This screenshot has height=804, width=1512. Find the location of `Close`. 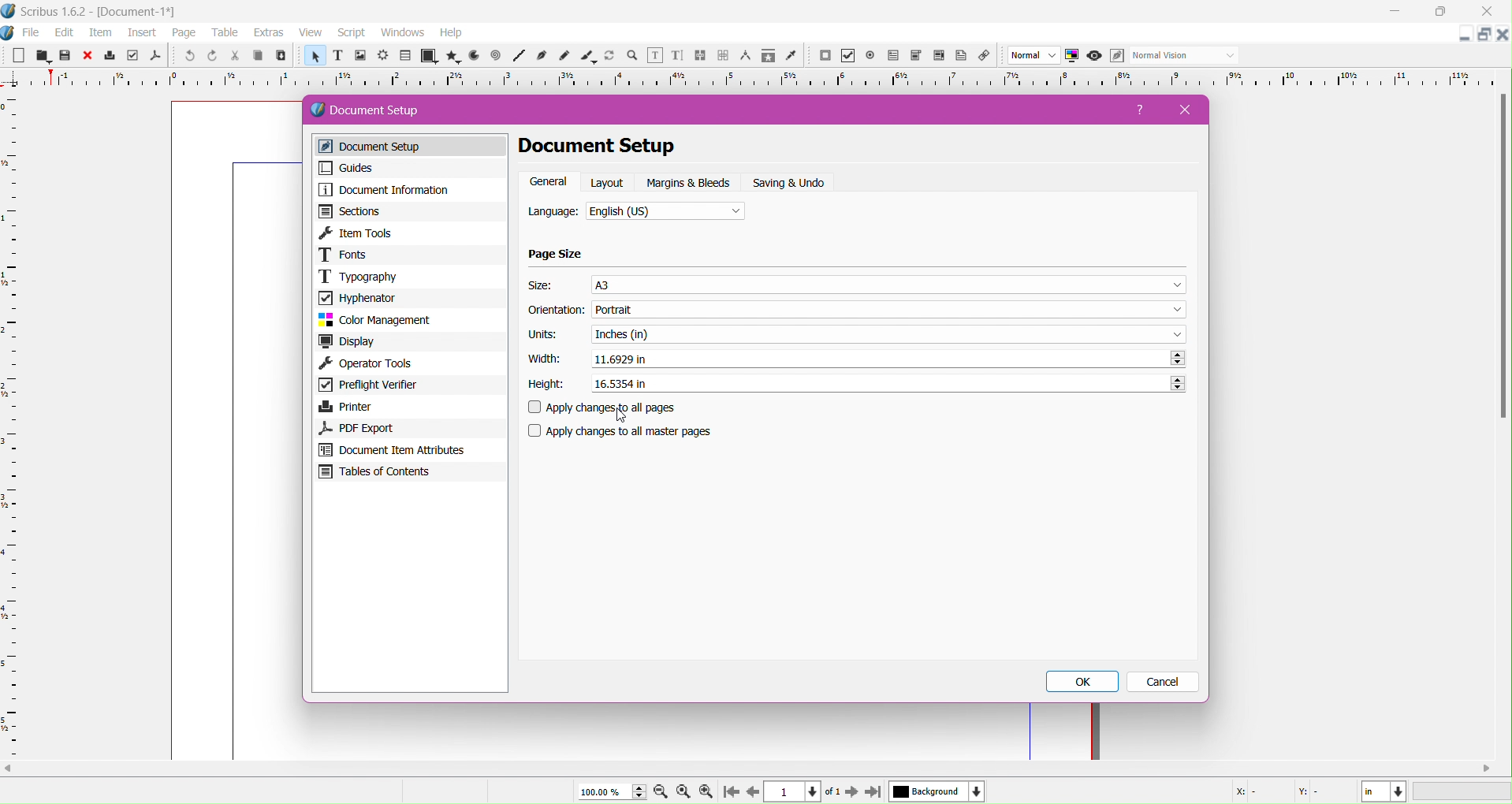

Close is located at coordinates (1180, 110).